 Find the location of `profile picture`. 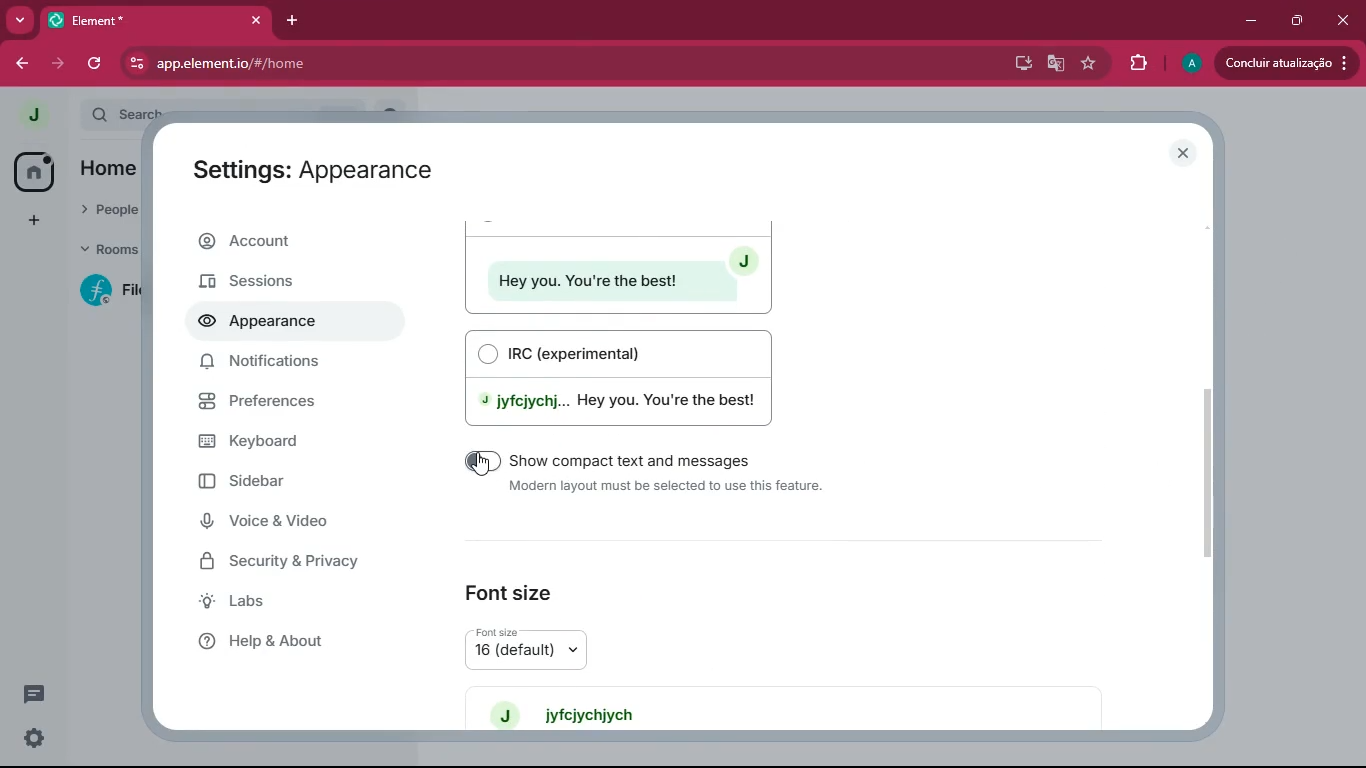

profile picture is located at coordinates (28, 115).